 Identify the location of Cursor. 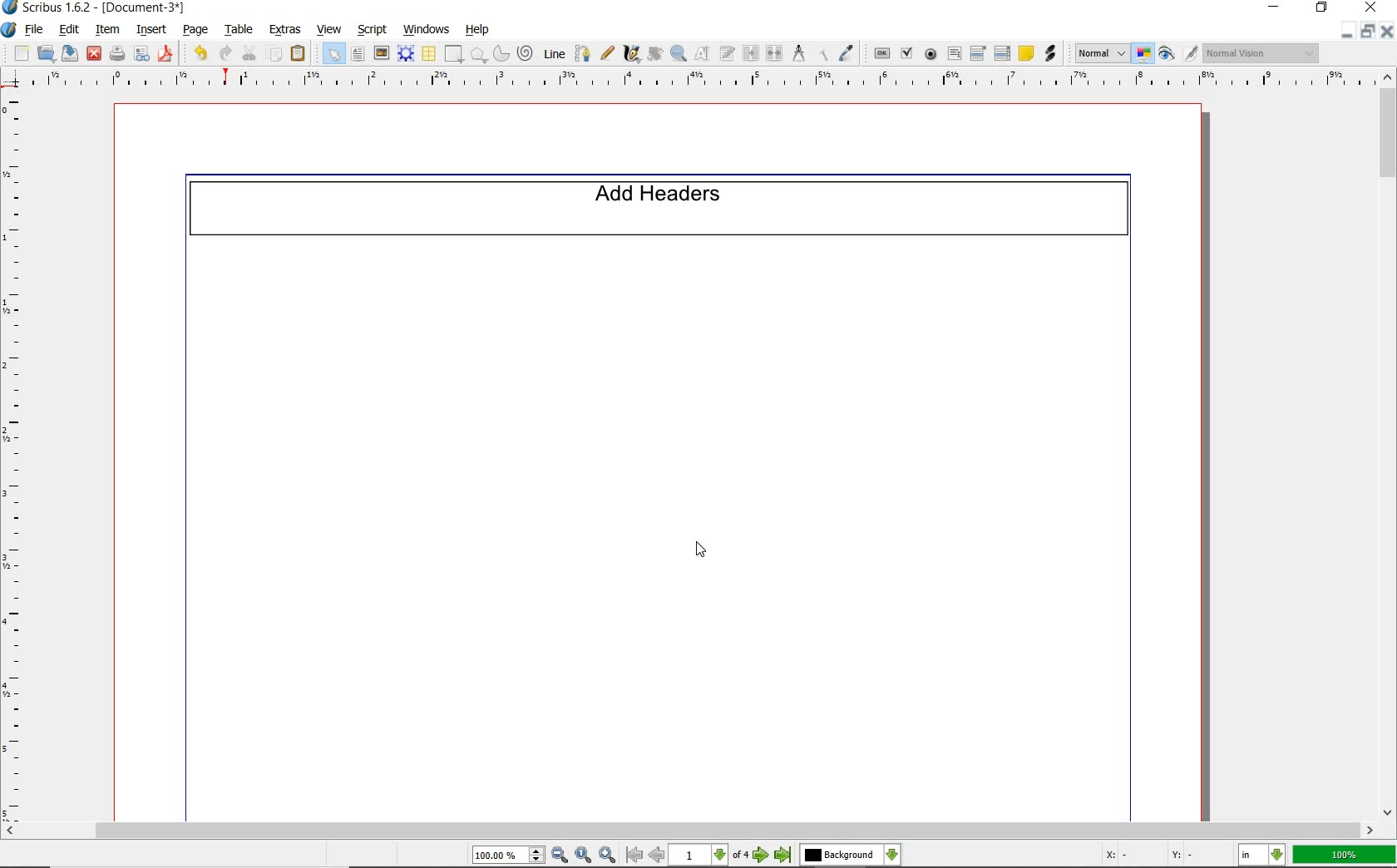
(701, 550).